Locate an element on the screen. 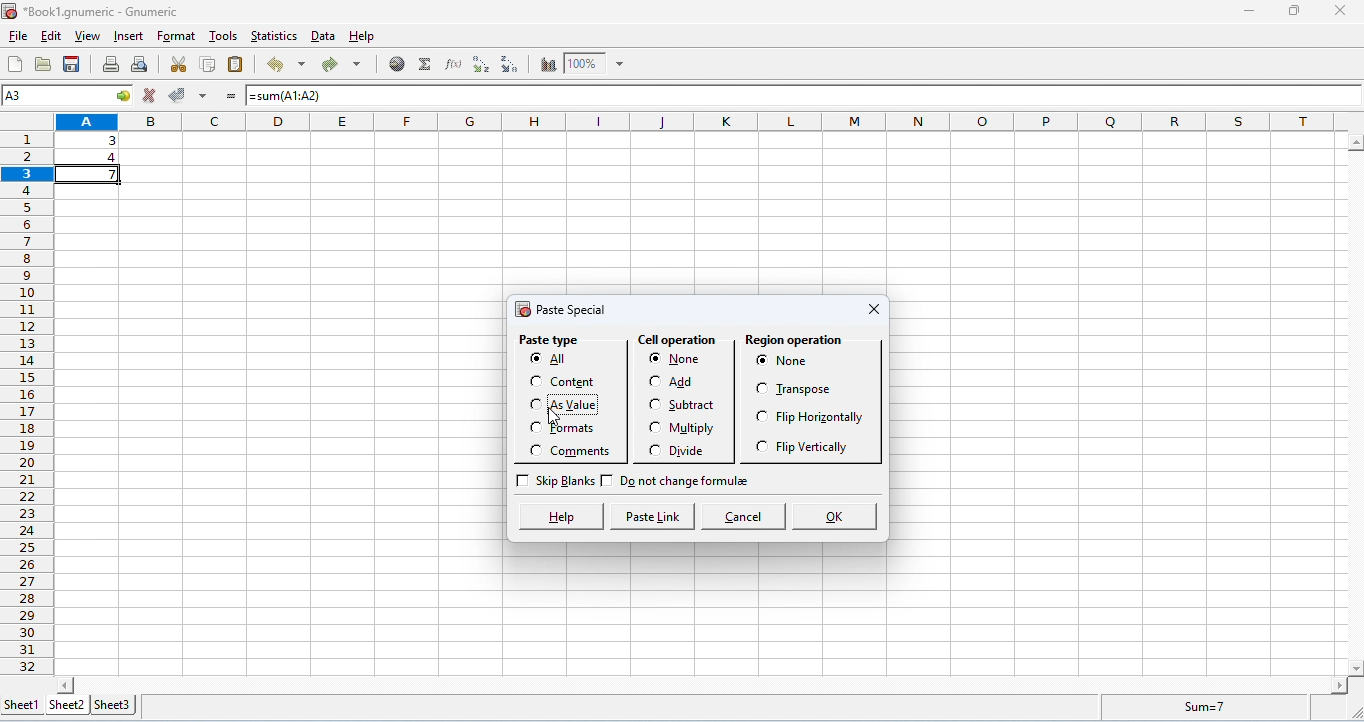 The height and width of the screenshot is (722, 1364). print is located at coordinates (112, 65).